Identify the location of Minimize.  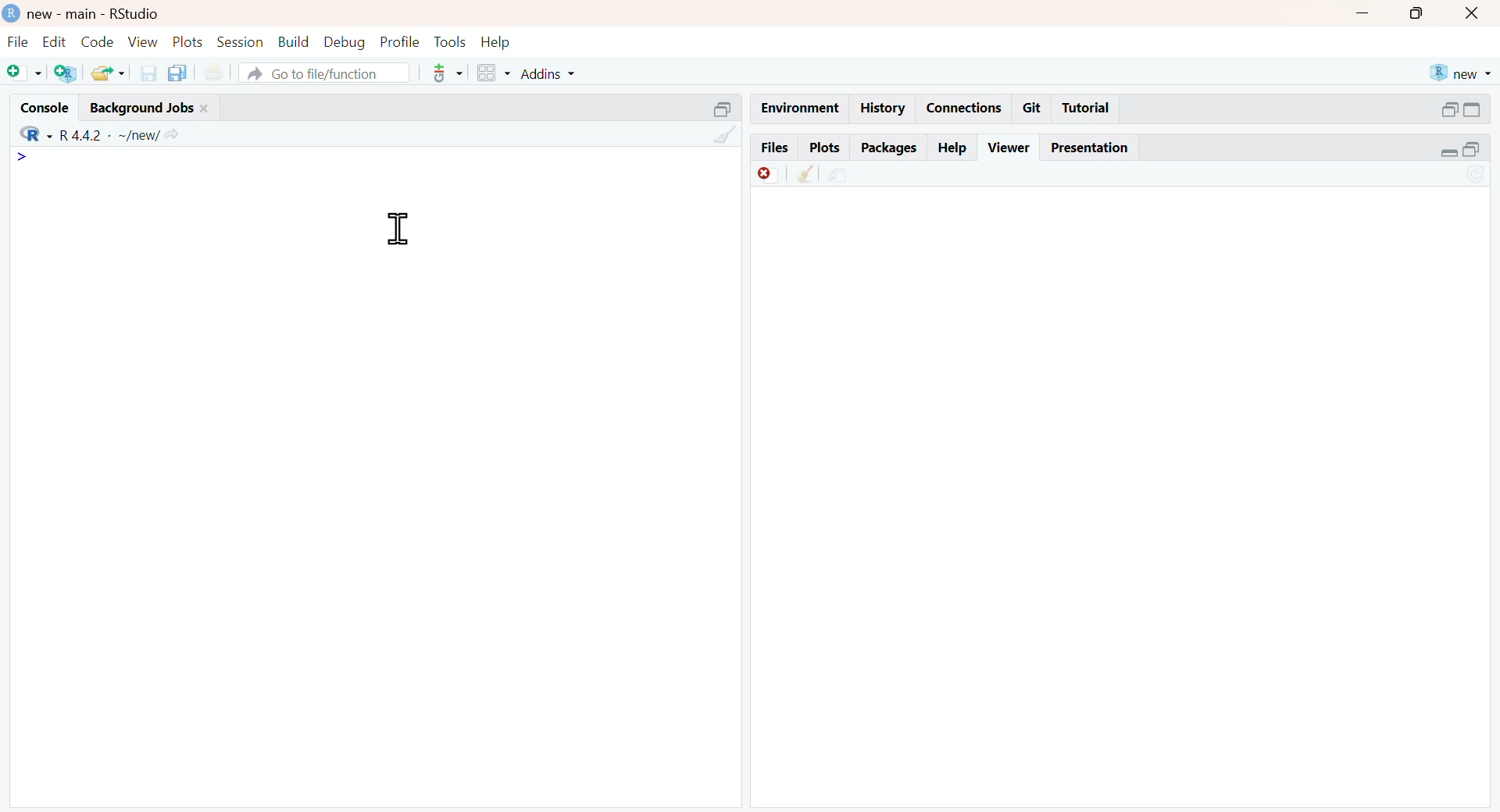
(712, 107).